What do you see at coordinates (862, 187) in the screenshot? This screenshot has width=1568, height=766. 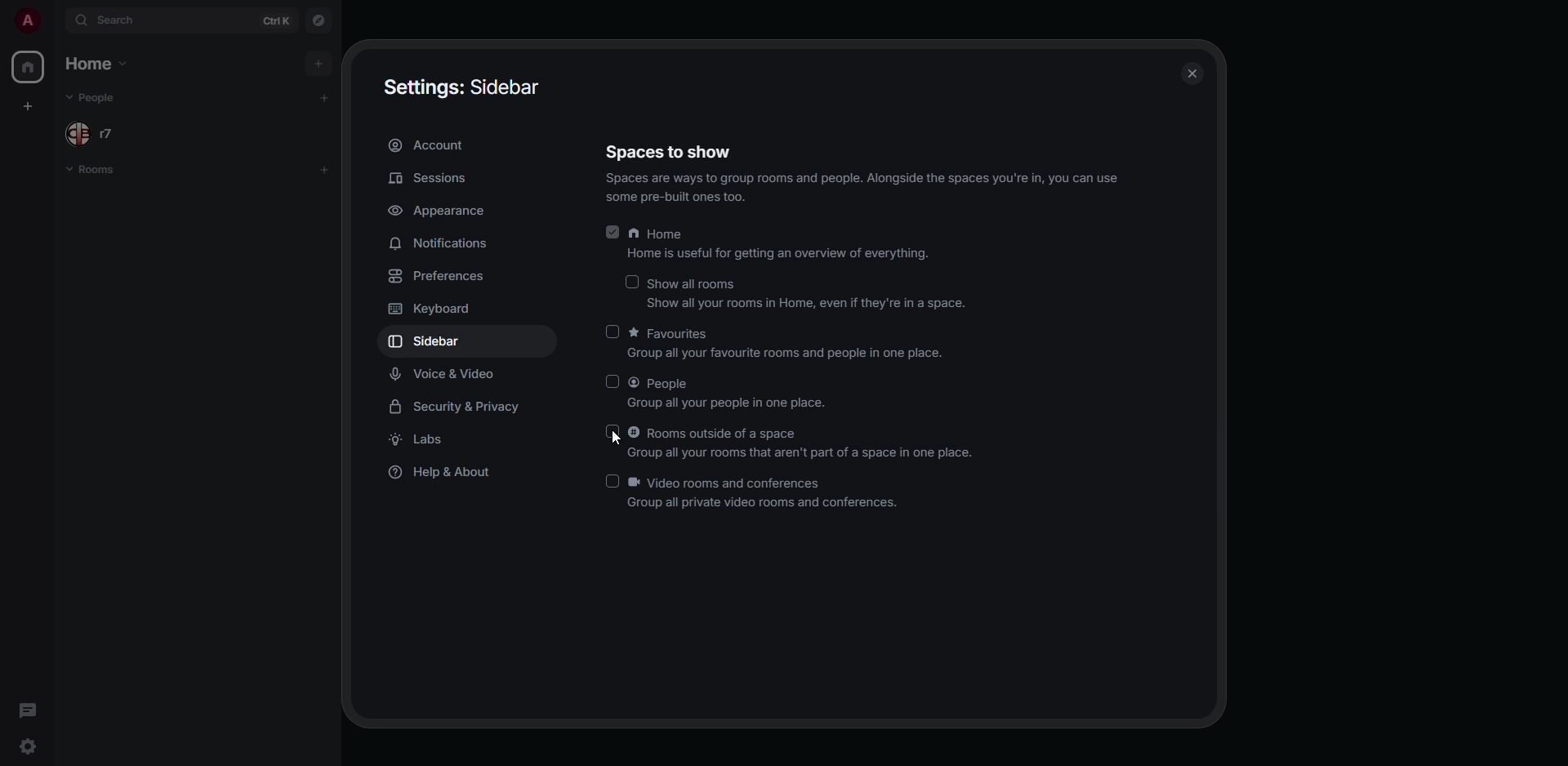 I see `Spaces are ways to group rooms and people. Alongside the spaces you're in, you can use
some pre-built ones too.` at bounding box center [862, 187].